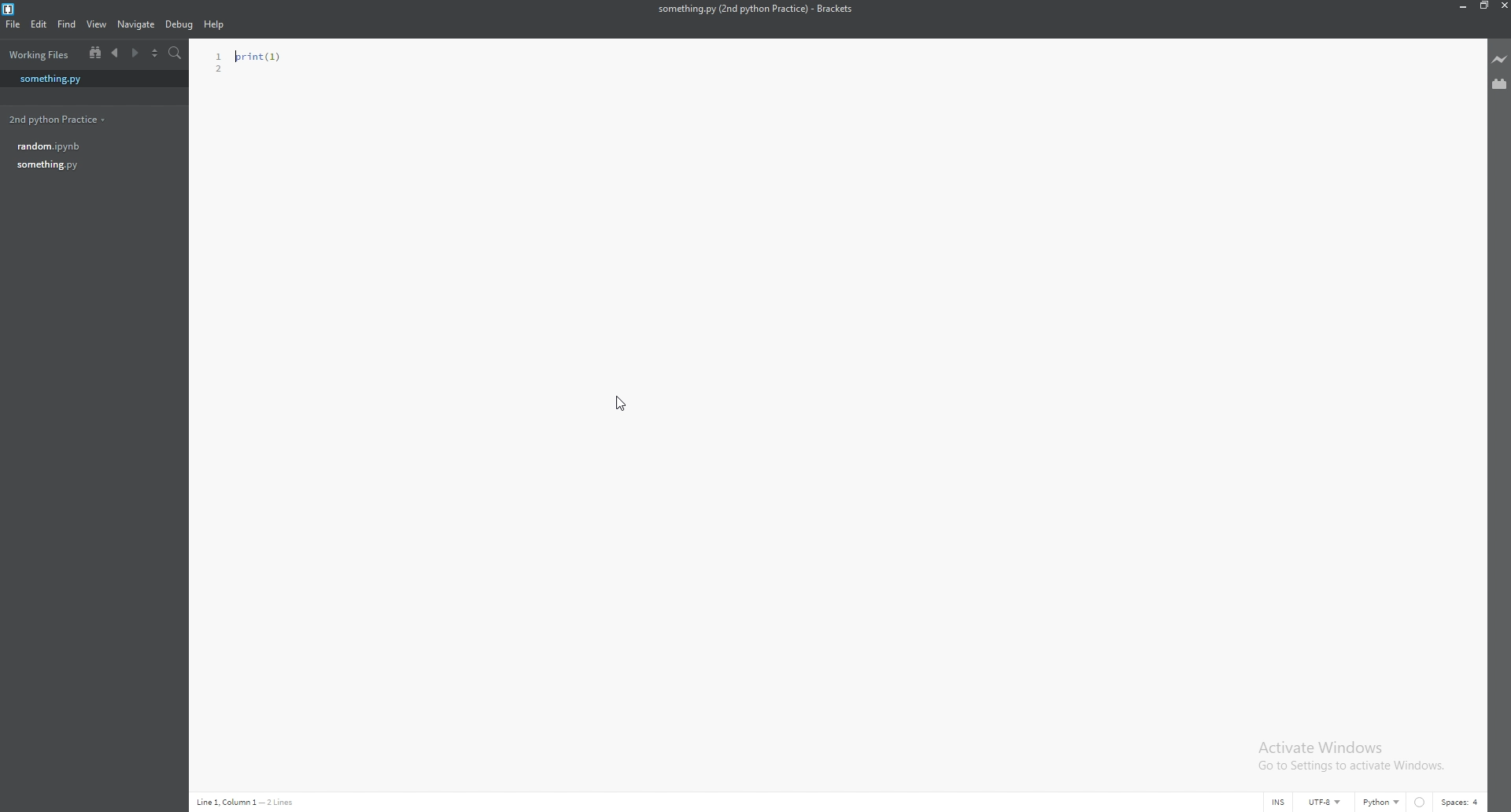  What do you see at coordinates (39, 24) in the screenshot?
I see `edit` at bounding box center [39, 24].